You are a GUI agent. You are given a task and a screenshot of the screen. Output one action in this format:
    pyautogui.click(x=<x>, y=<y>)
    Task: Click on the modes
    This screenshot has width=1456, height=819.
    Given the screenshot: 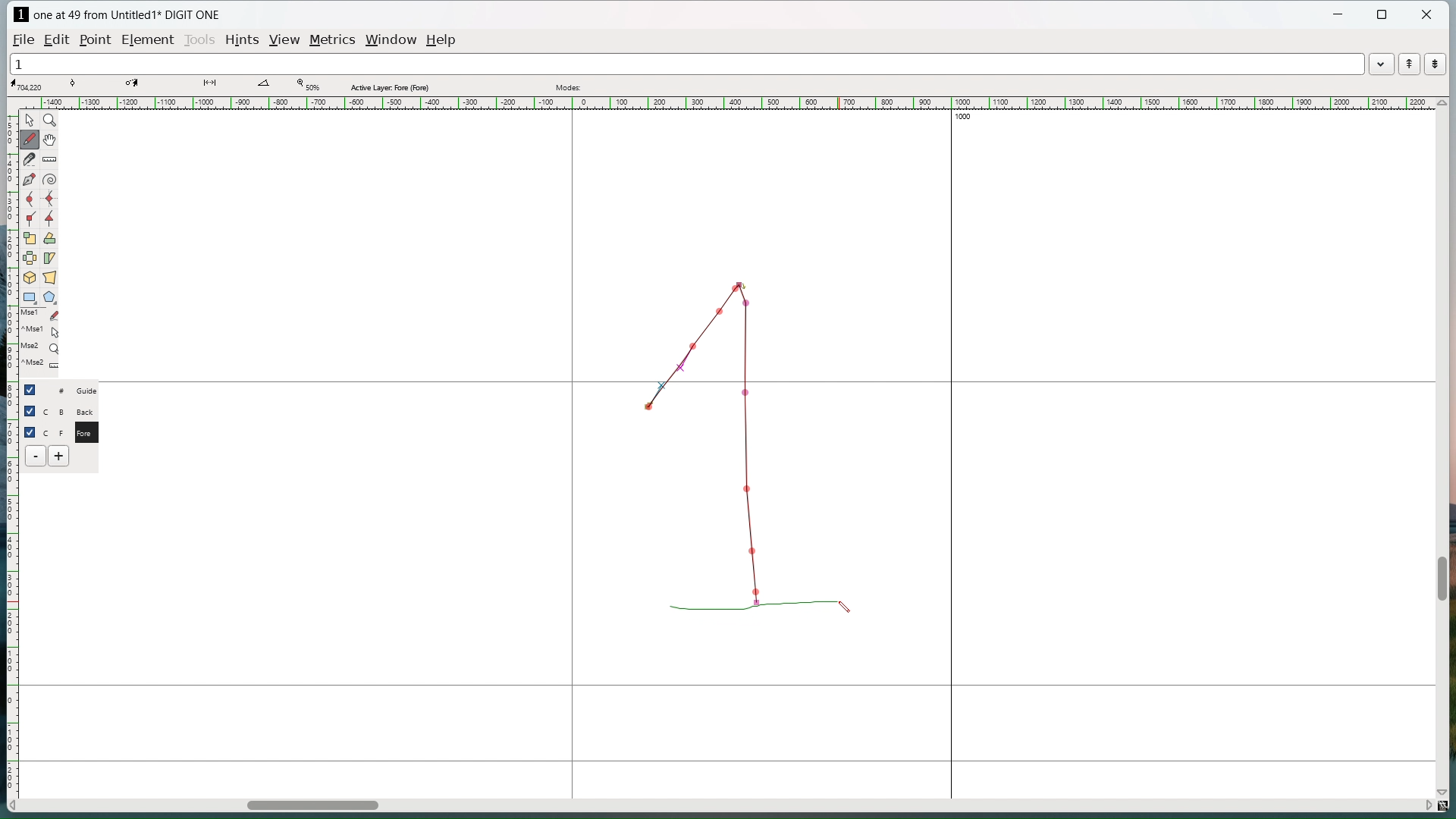 What is the action you would take?
    pyautogui.click(x=570, y=87)
    